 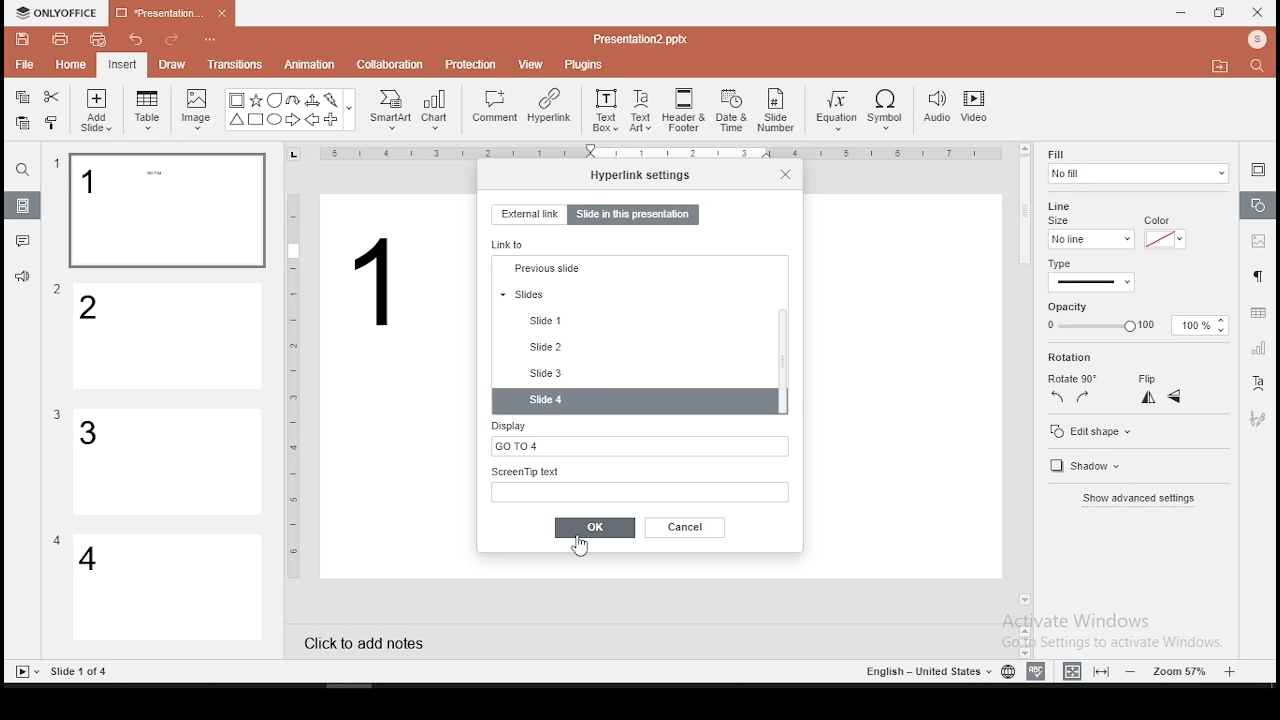 What do you see at coordinates (889, 111) in the screenshot?
I see `symbol` at bounding box center [889, 111].